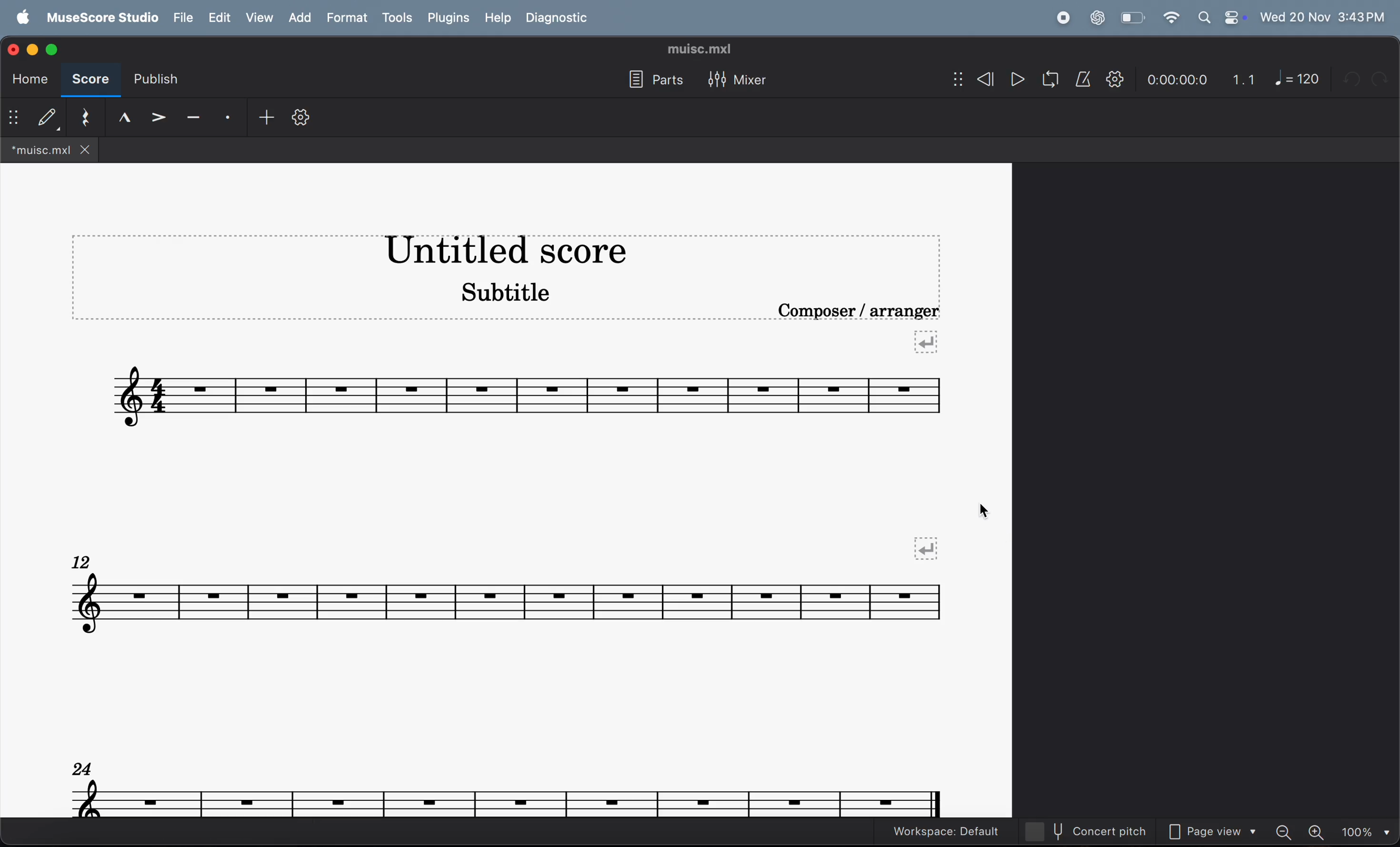 The image size is (1400, 847). What do you see at coordinates (34, 118) in the screenshot?
I see `step time` at bounding box center [34, 118].